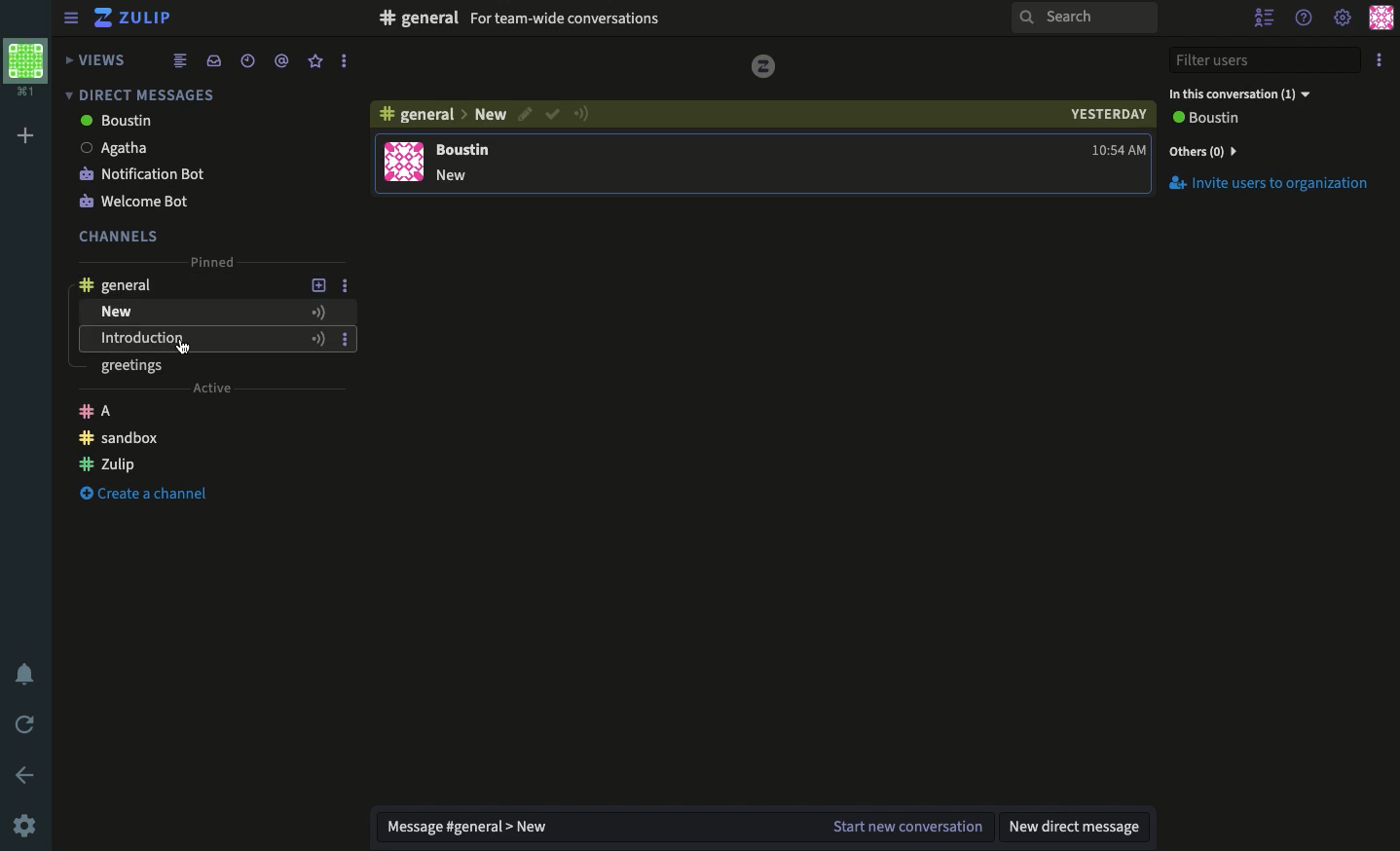  Describe the element at coordinates (1119, 150) in the screenshot. I see `time` at that location.